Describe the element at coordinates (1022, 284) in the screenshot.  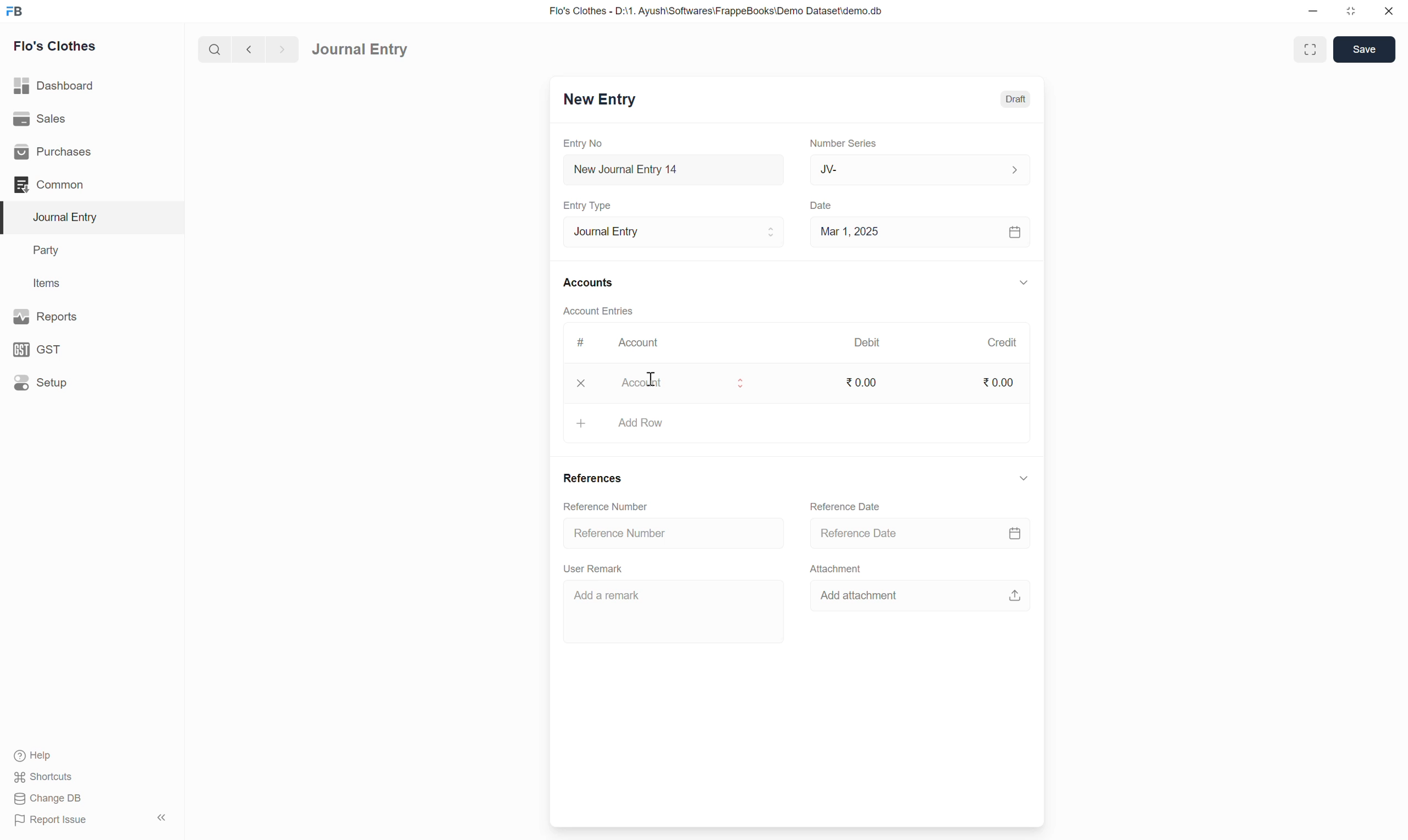
I see `down` at that location.